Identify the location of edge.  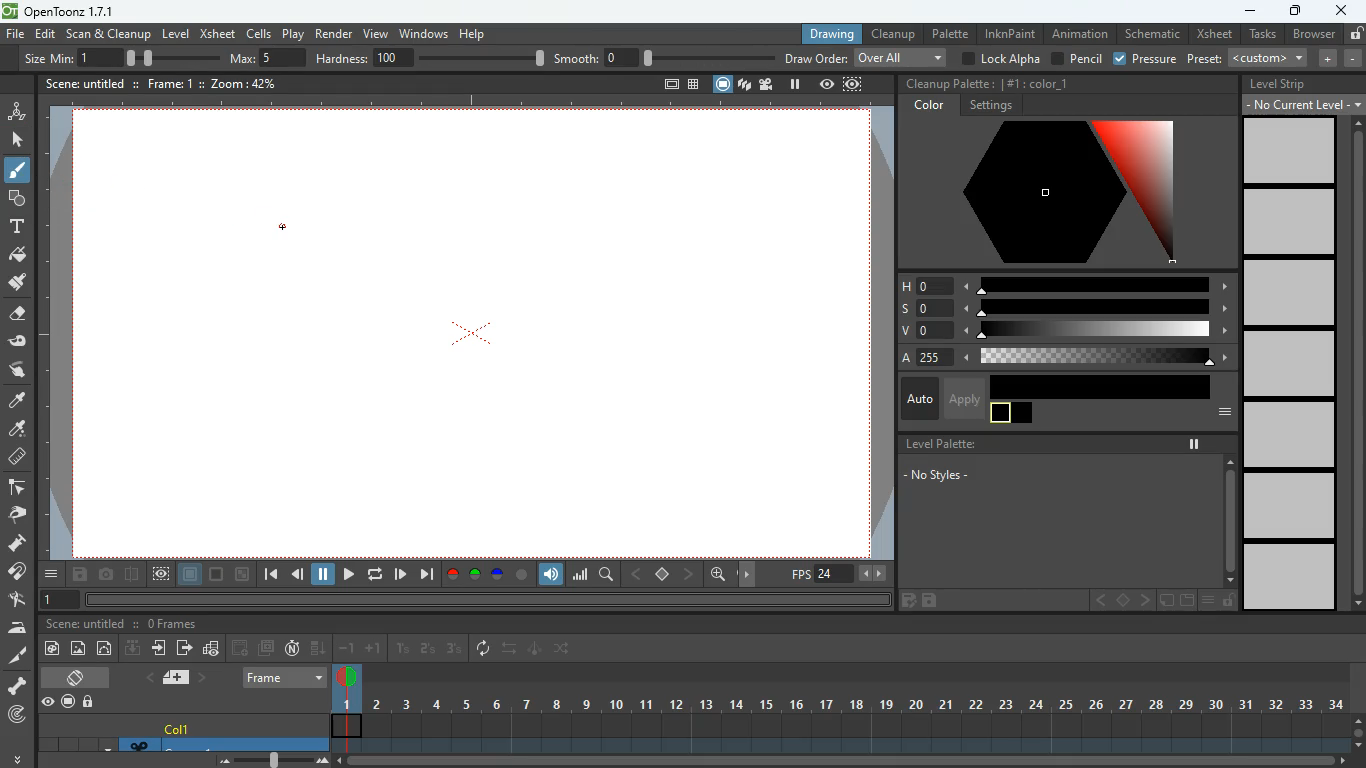
(16, 488).